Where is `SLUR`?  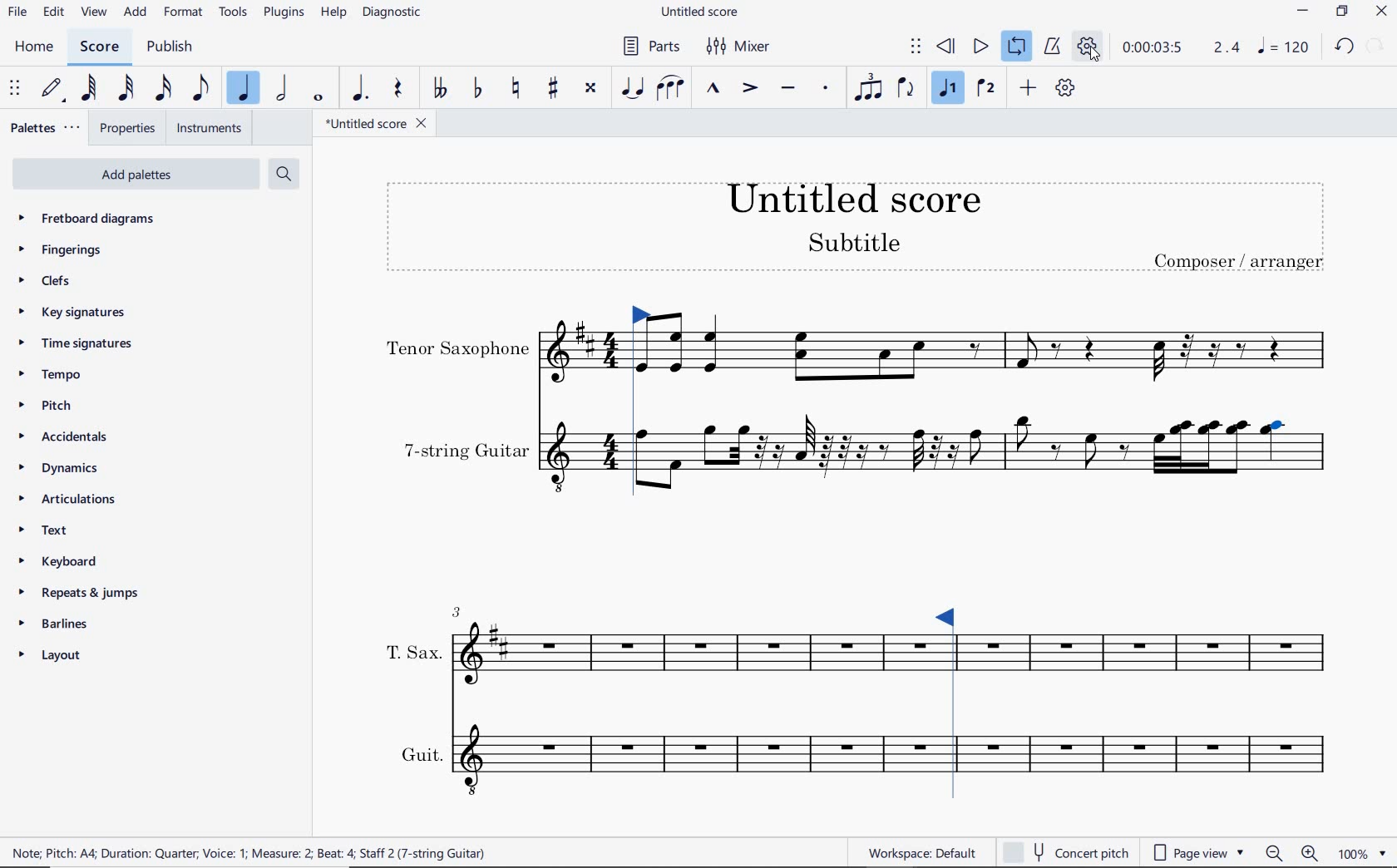 SLUR is located at coordinates (669, 89).